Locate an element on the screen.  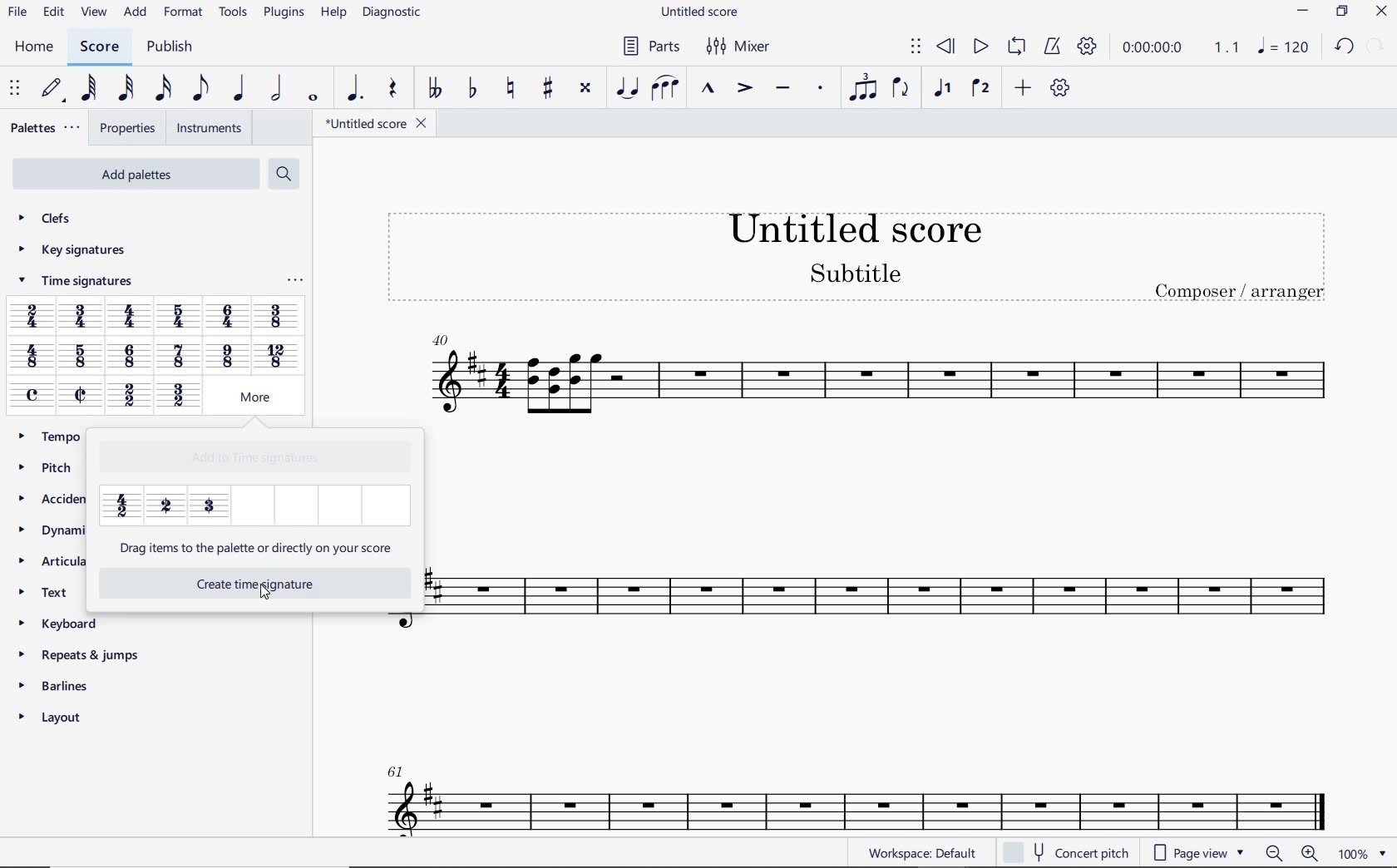
FILE NAME is located at coordinates (376, 123).